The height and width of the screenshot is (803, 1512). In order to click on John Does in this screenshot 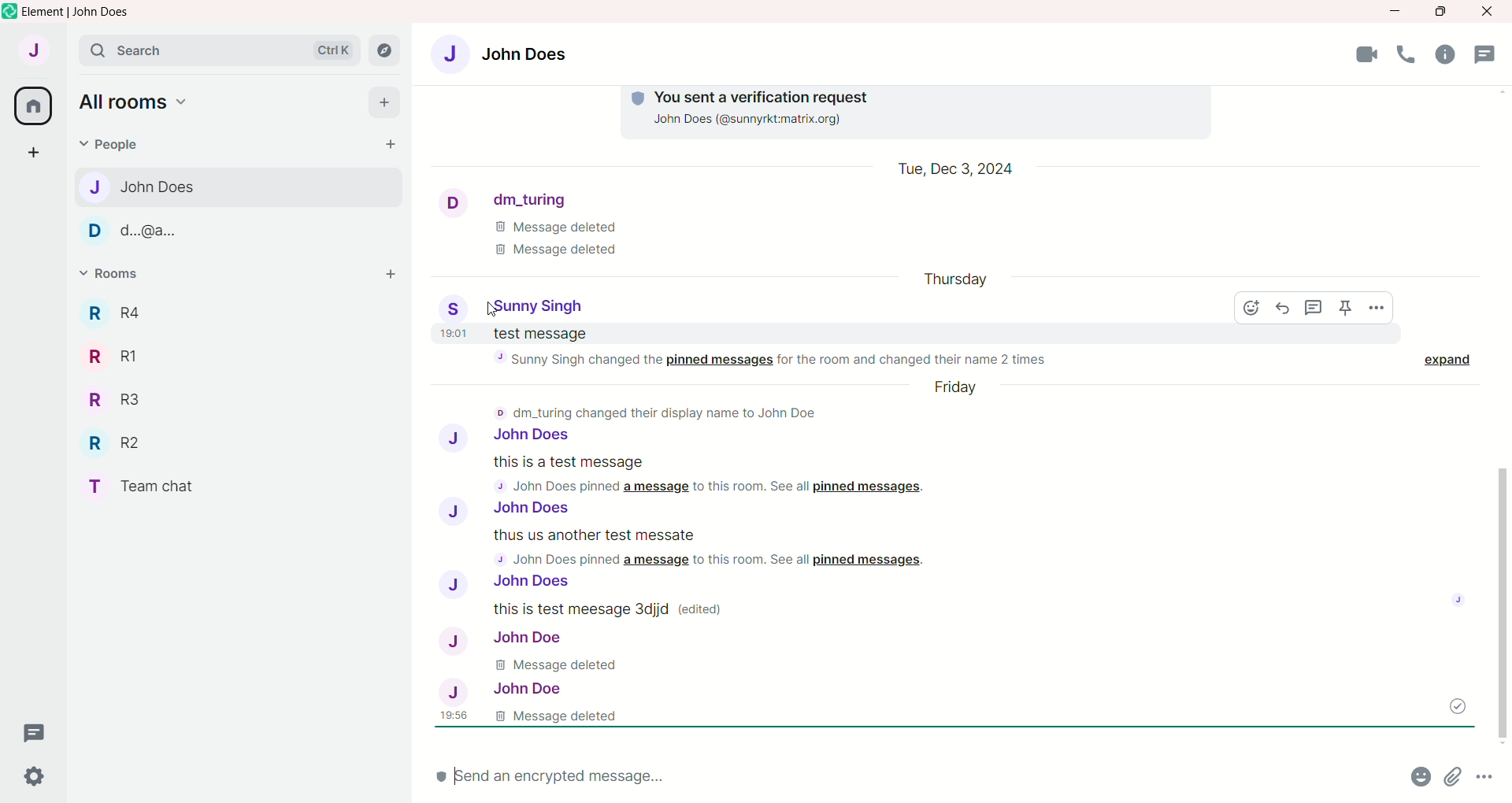, I will do `click(502, 582)`.